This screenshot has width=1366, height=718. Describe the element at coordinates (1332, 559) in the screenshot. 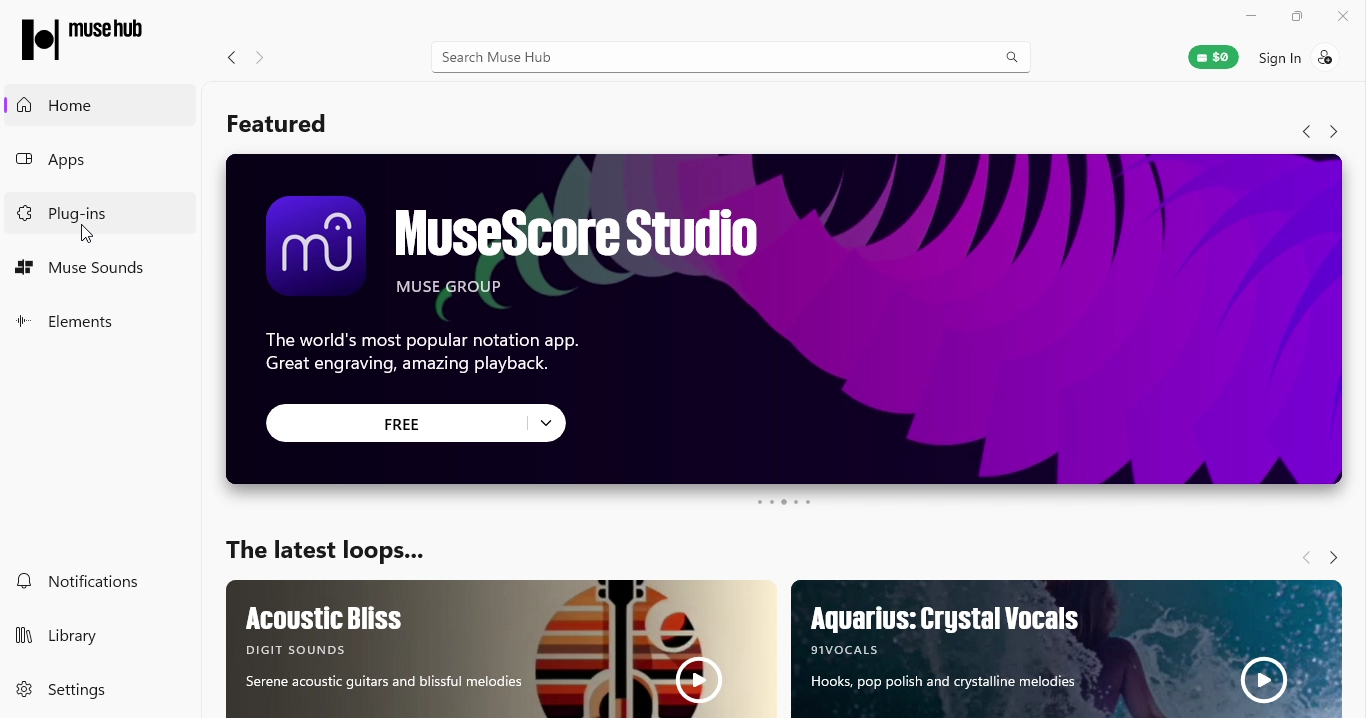

I see `Navigate forward` at that location.